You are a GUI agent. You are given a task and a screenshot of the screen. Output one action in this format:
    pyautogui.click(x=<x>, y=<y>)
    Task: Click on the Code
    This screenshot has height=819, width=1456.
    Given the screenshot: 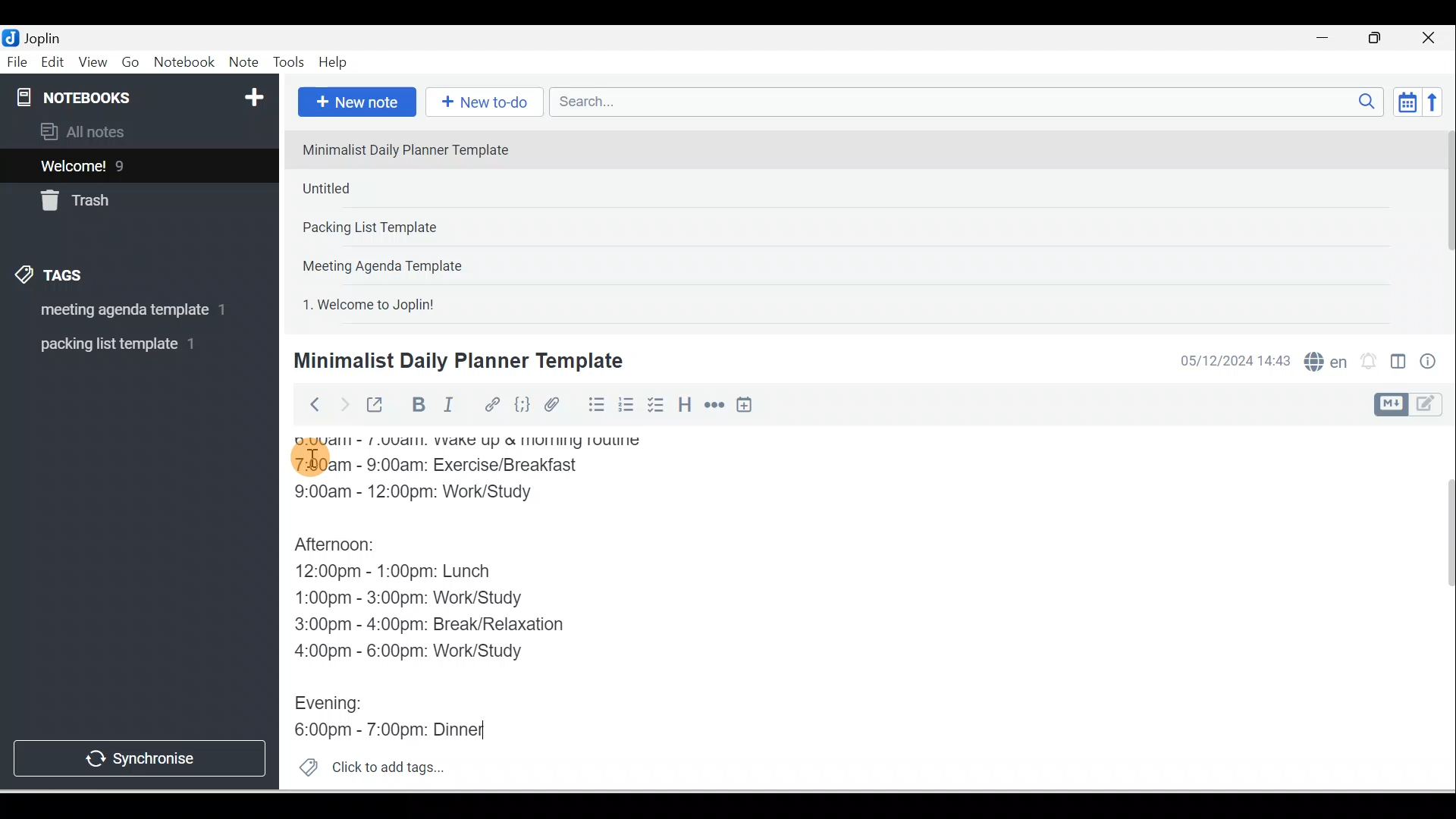 What is the action you would take?
    pyautogui.click(x=522, y=406)
    